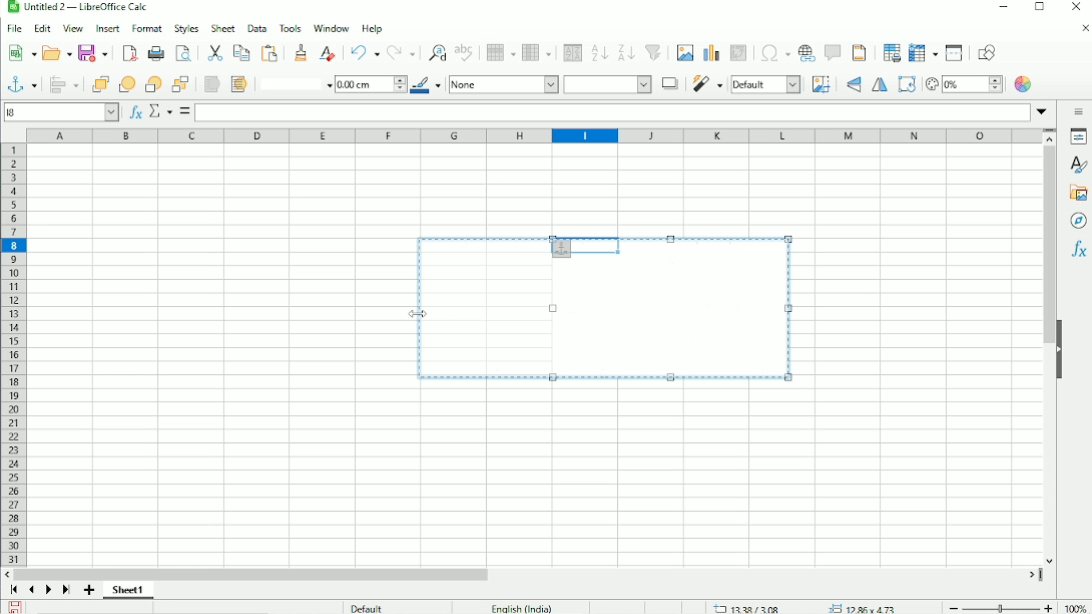 Image resolution: width=1092 pixels, height=614 pixels. I want to click on Insert or edit pivot table, so click(740, 54).